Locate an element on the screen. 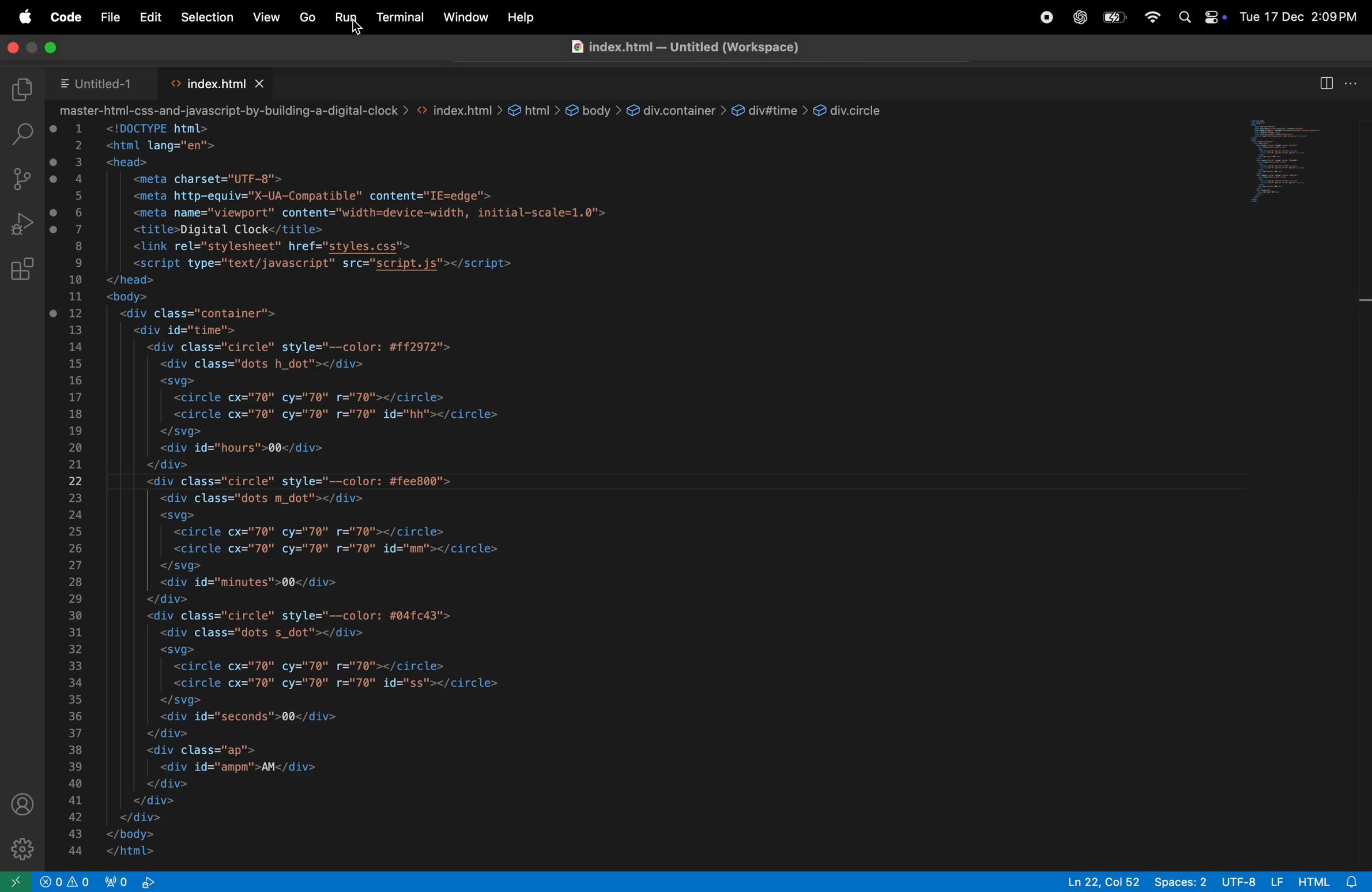 The width and height of the screenshot is (1372, 892). line numbers is located at coordinates (77, 490).